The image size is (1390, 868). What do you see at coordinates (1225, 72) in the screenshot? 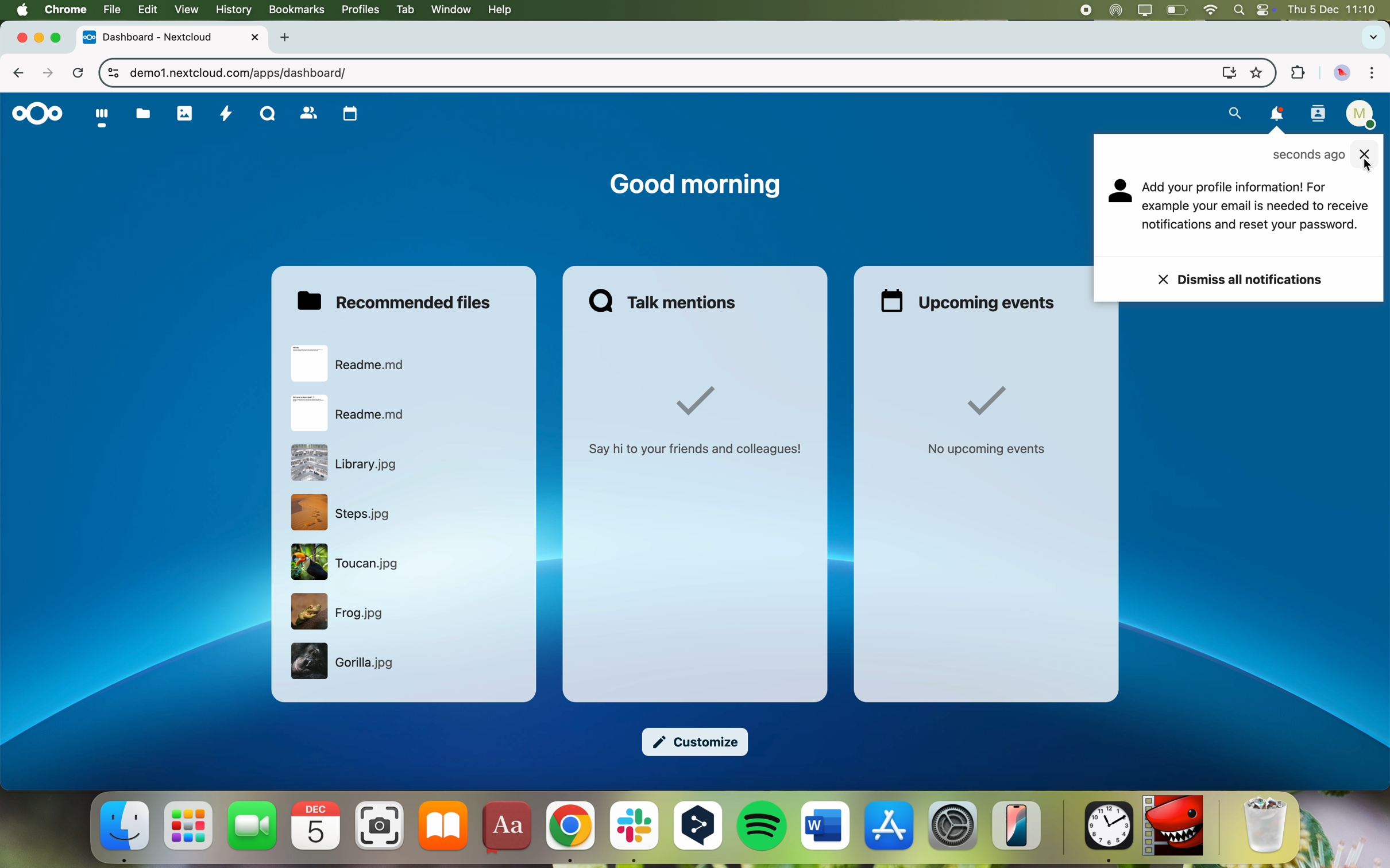
I see `screen` at bounding box center [1225, 72].